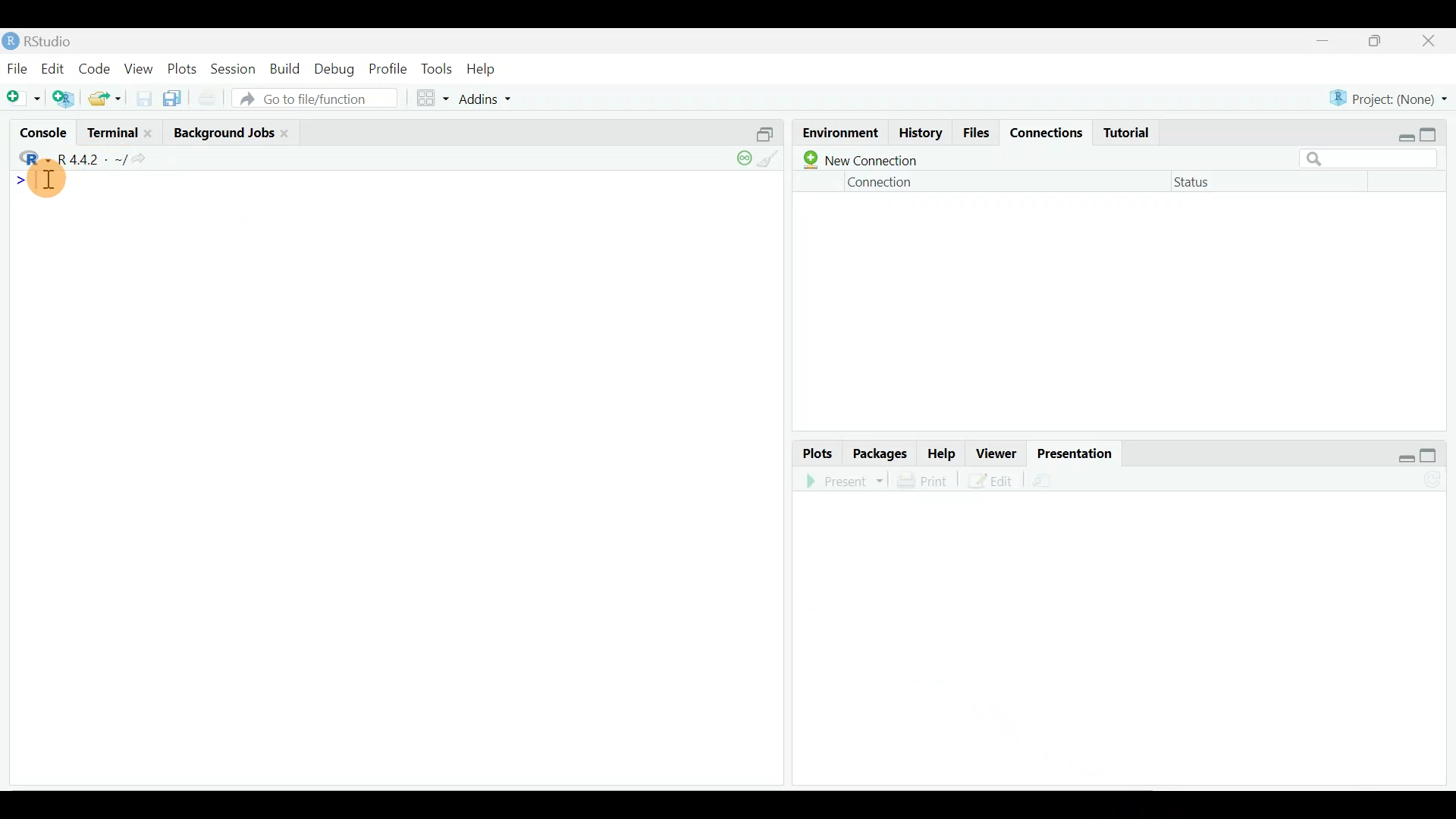 Image resolution: width=1456 pixels, height=819 pixels. What do you see at coordinates (45, 135) in the screenshot?
I see `Console` at bounding box center [45, 135].